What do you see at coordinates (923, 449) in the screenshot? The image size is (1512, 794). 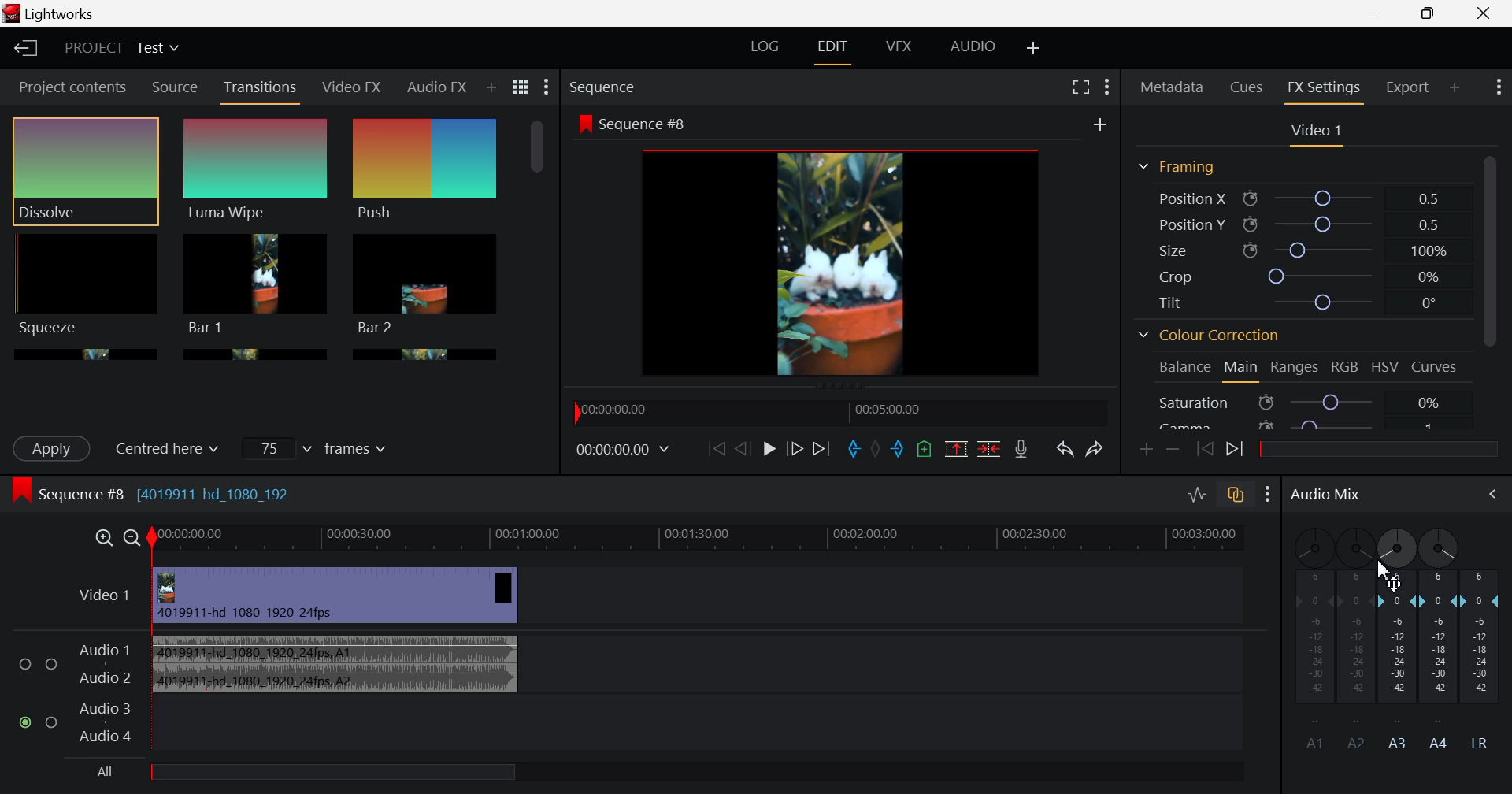 I see `Mark Cue` at bounding box center [923, 449].